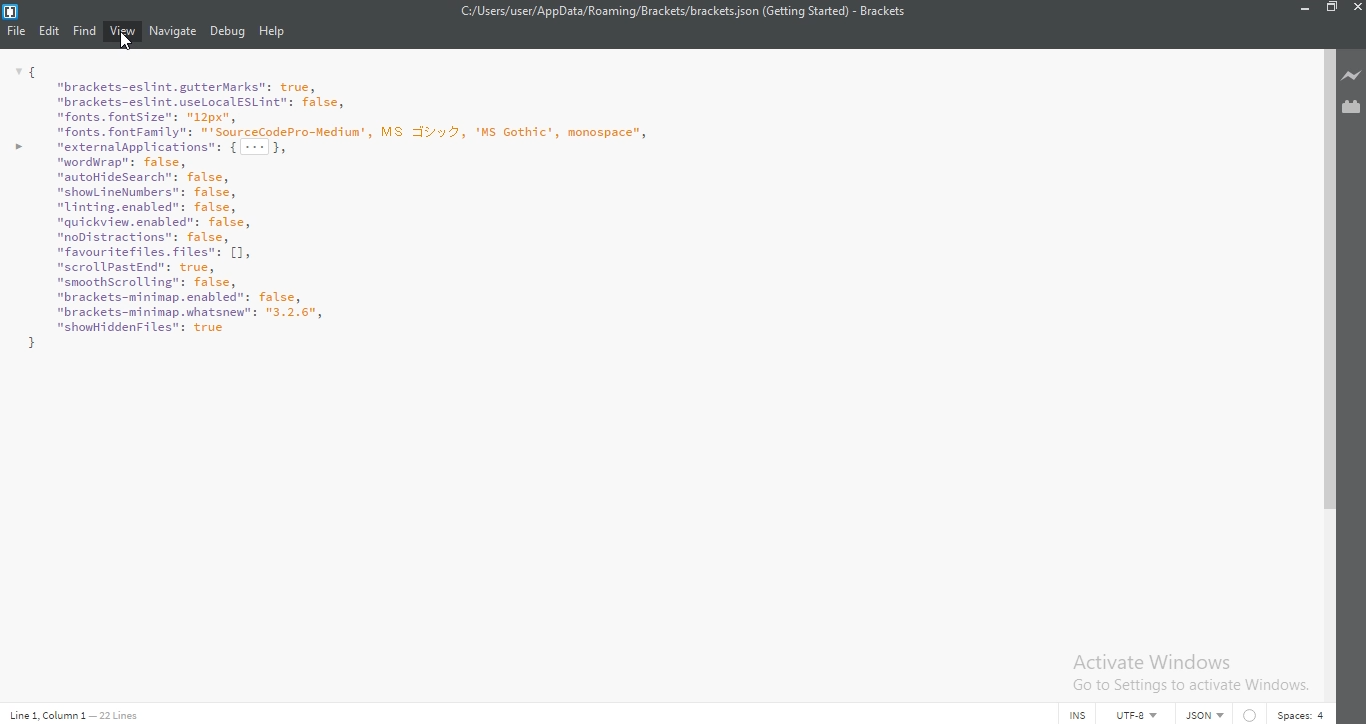  I want to click on Line code data, so click(78, 714).